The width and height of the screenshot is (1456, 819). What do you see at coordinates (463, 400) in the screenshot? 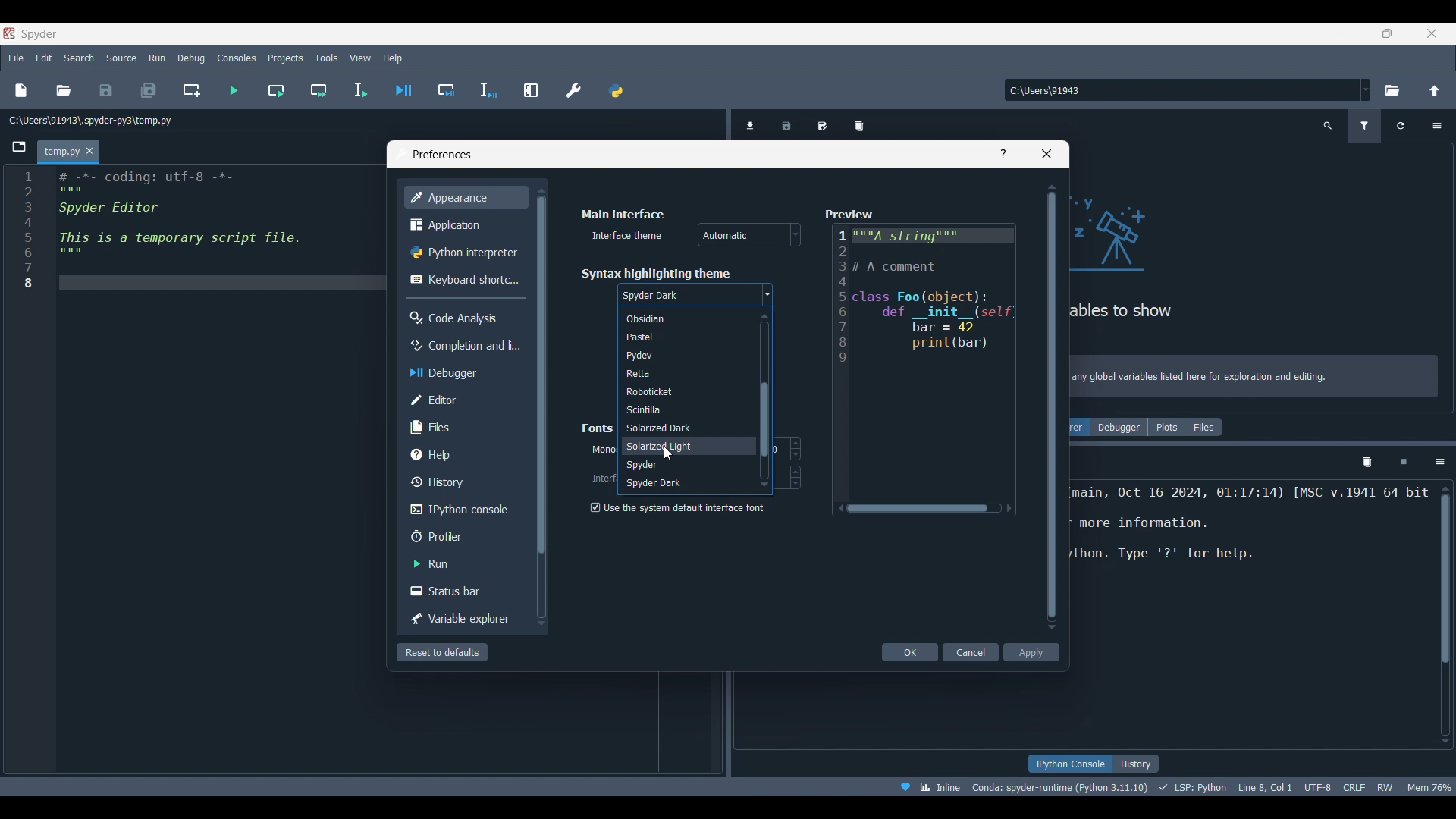
I see `Editor` at bounding box center [463, 400].